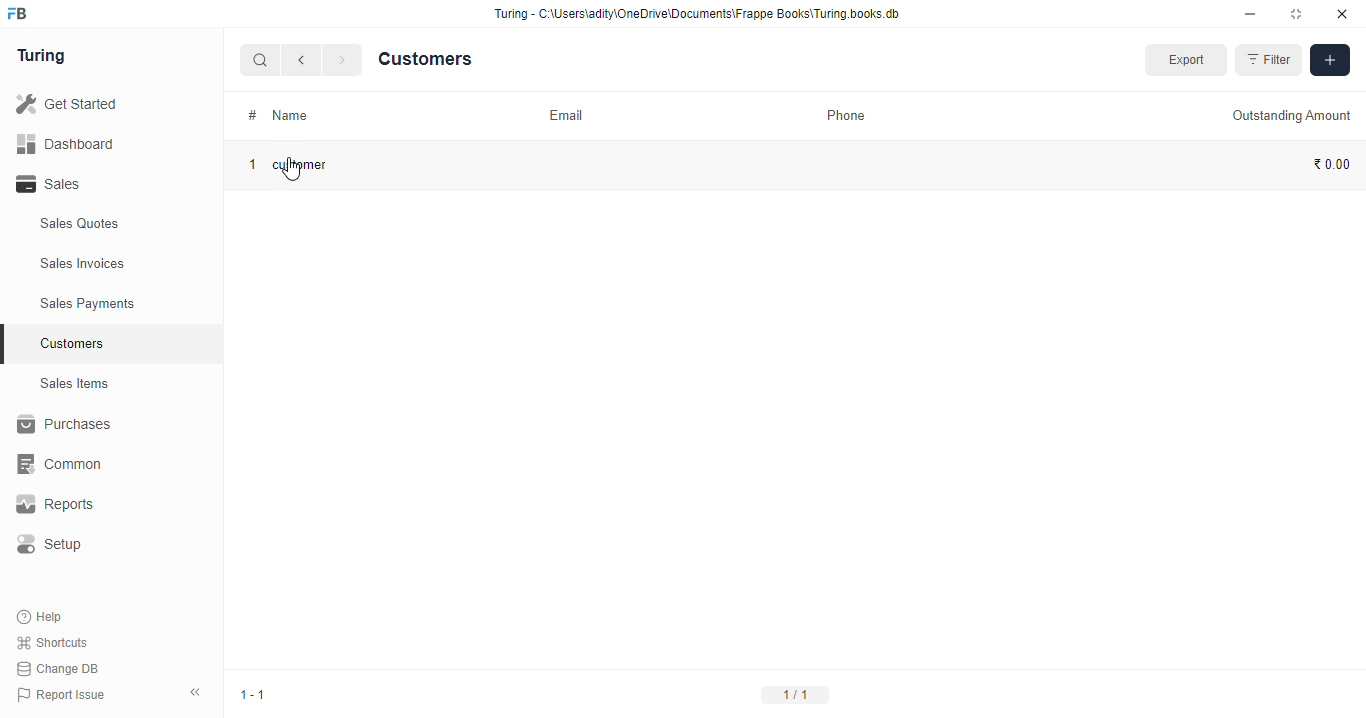 The width and height of the screenshot is (1366, 718). Describe the element at coordinates (1192, 61) in the screenshot. I see `Export` at that location.